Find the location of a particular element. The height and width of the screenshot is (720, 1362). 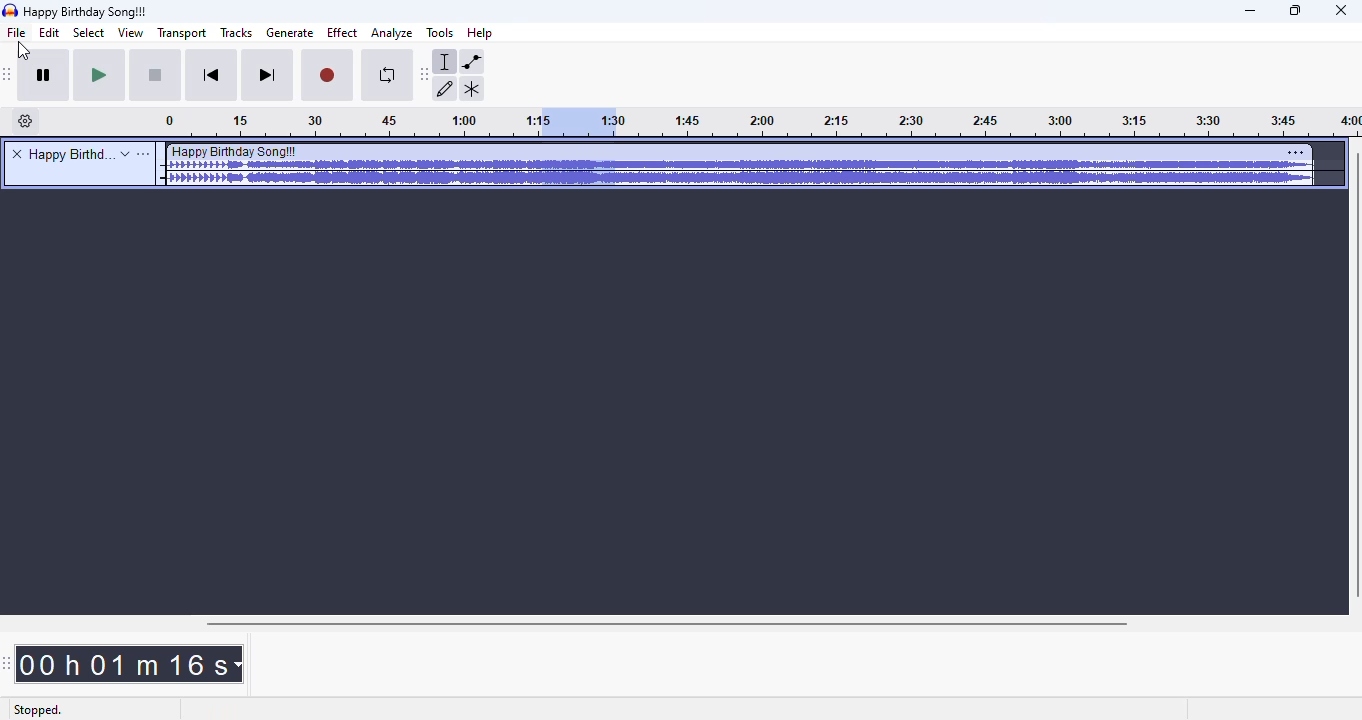

stopped. is located at coordinates (37, 711).